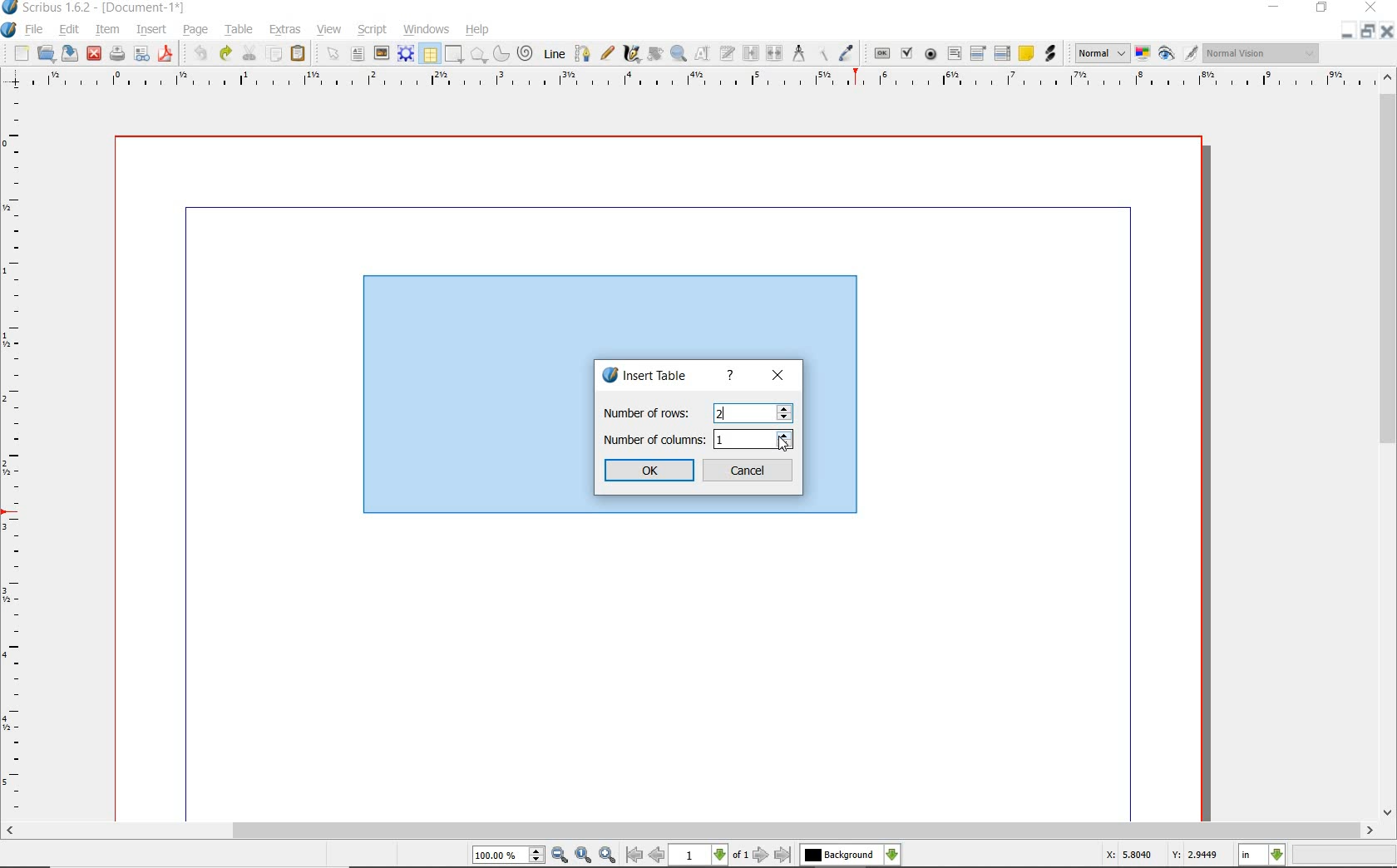 The width and height of the screenshot is (1397, 868). Describe the element at coordinates (709, 855) in the screenshot. I see `select current page level` at that location.